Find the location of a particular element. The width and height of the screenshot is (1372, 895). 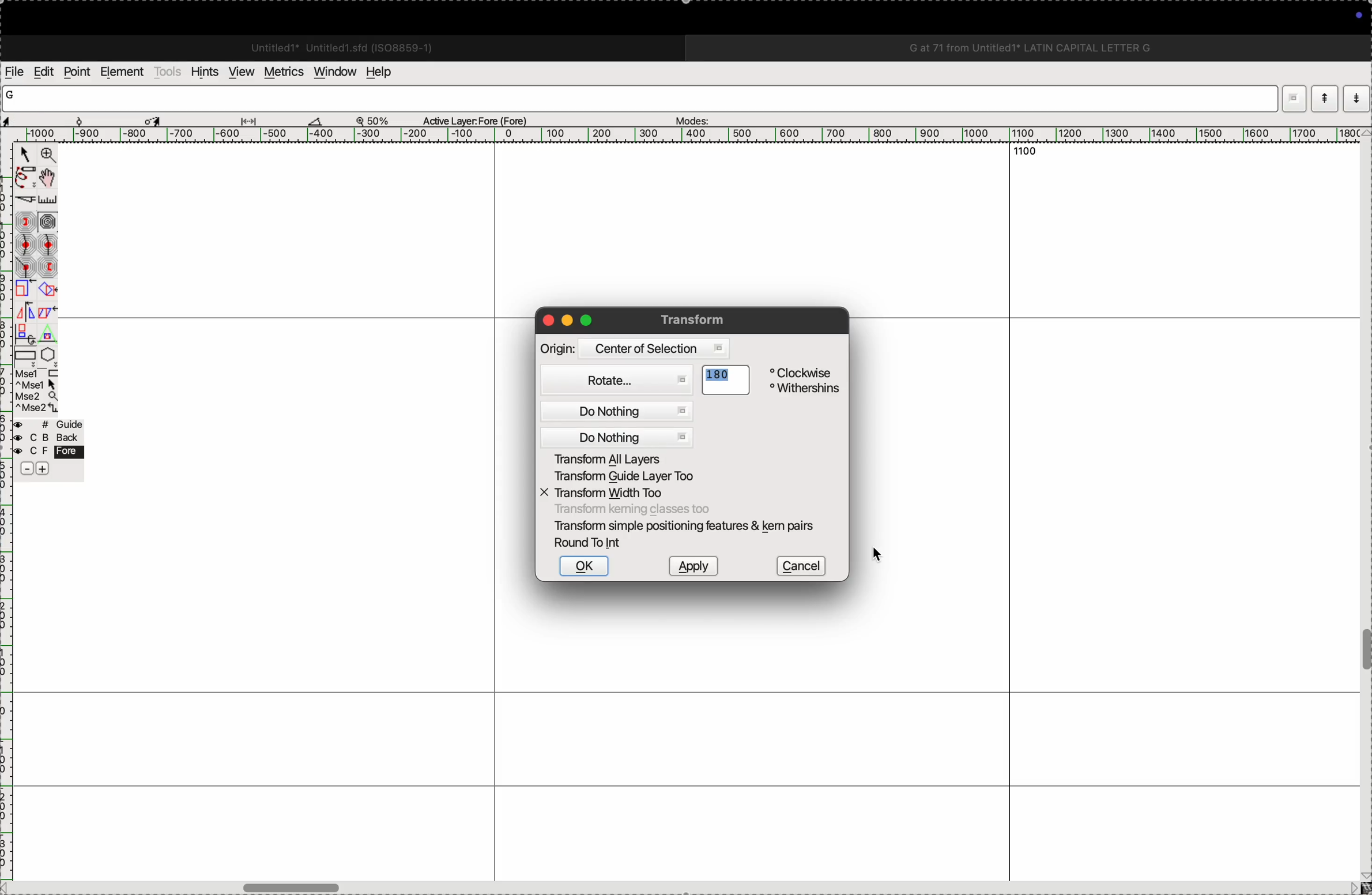

1100 is located at coordinates (1028, 154).